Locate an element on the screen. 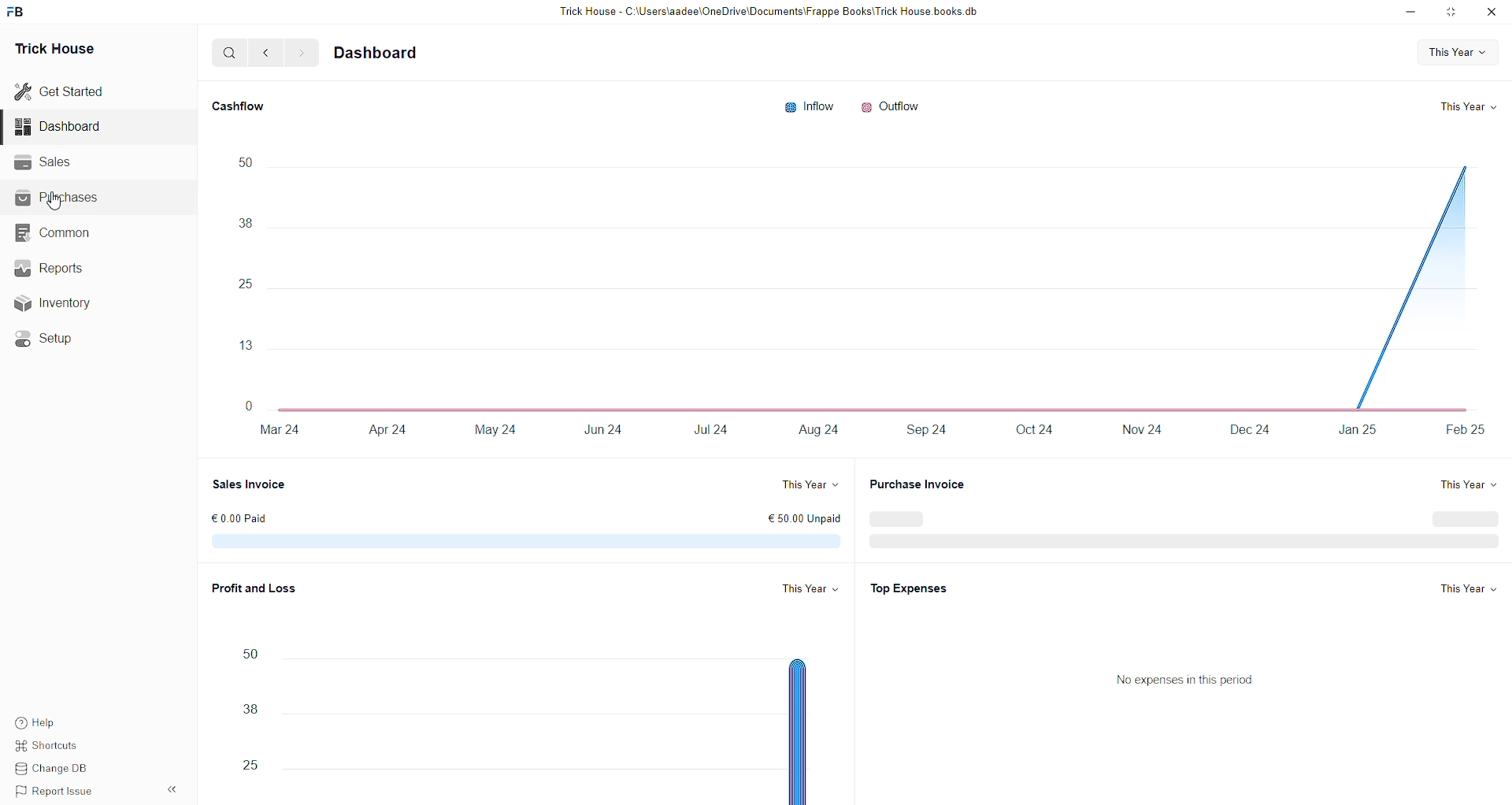  €50.00 Unpaid is located at coordinates (812, 520).